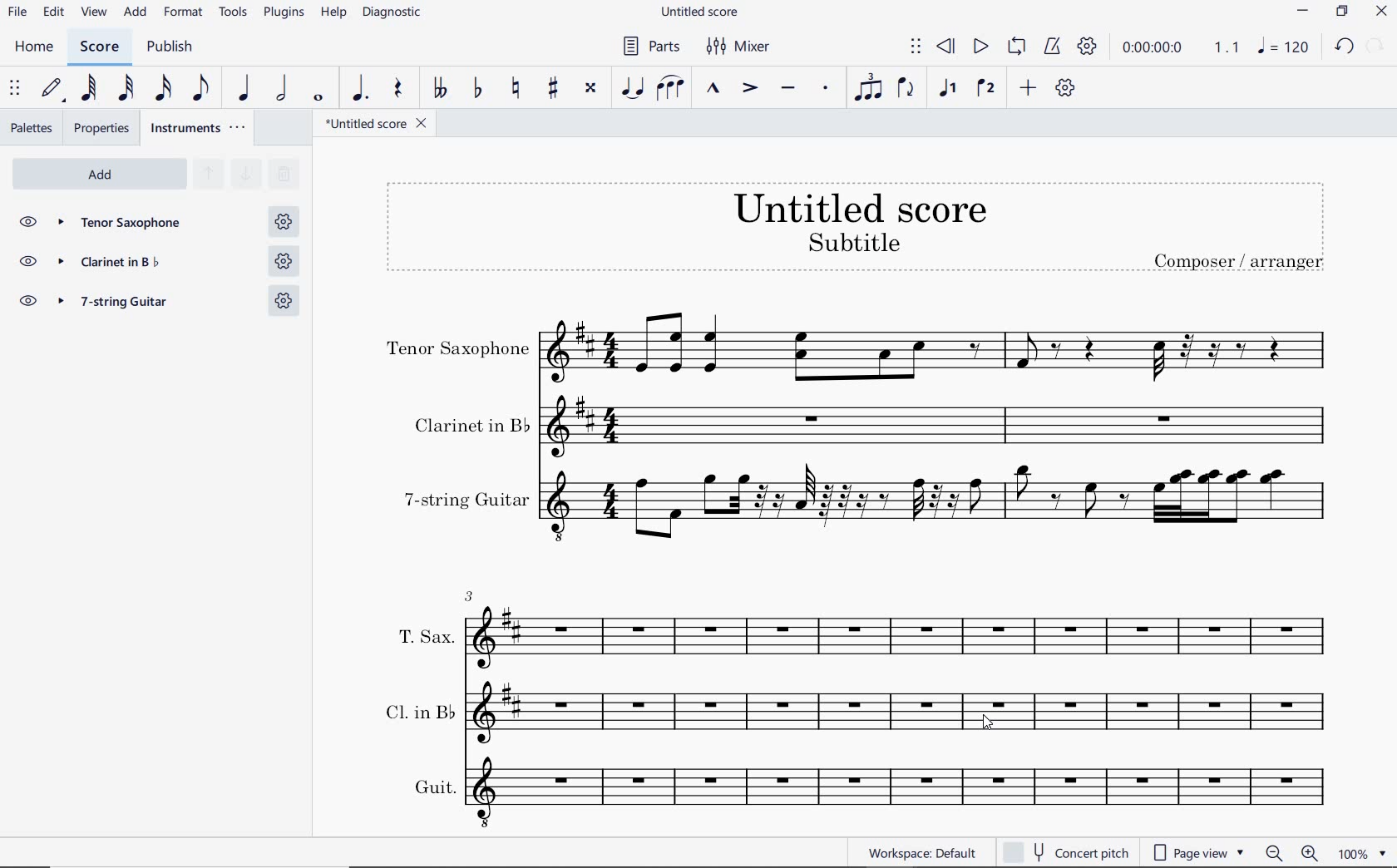  I want to click on 16TH NOTE, so click(165, 87).